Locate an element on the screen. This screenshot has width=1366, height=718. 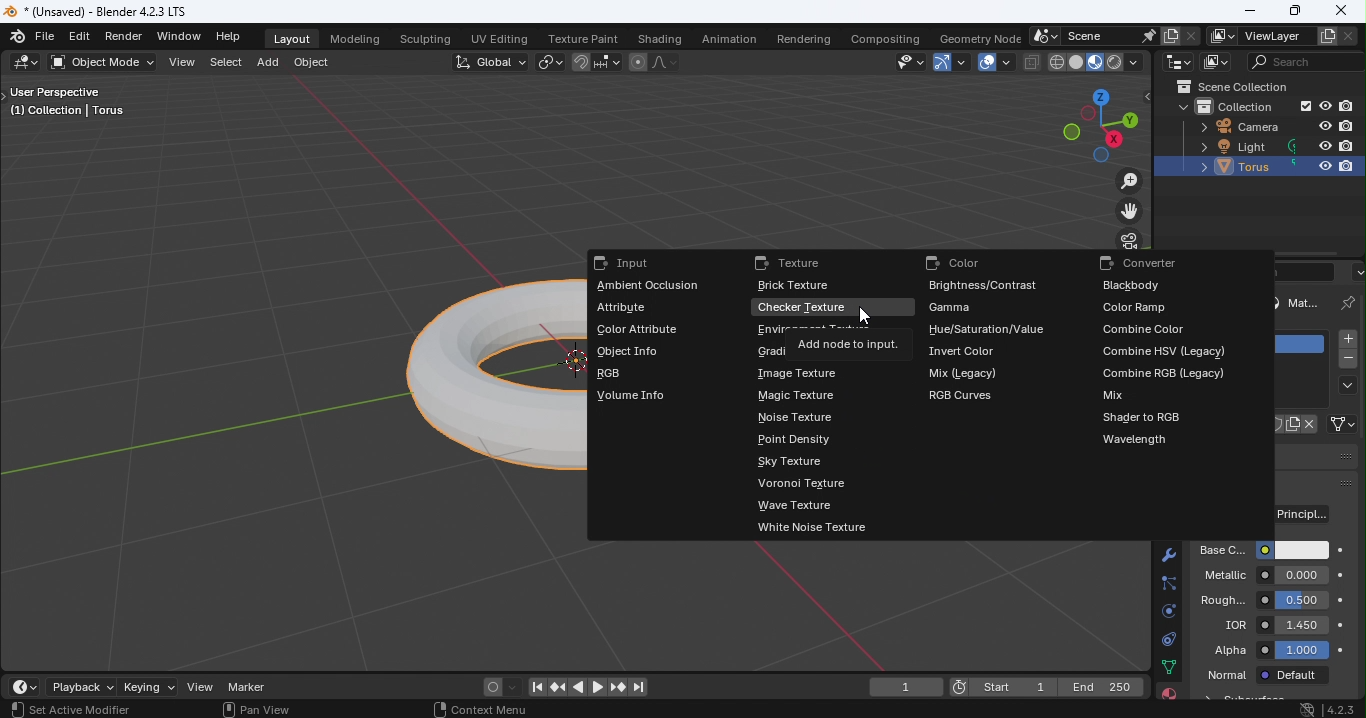
Keying is located at coordinates (147, 687).